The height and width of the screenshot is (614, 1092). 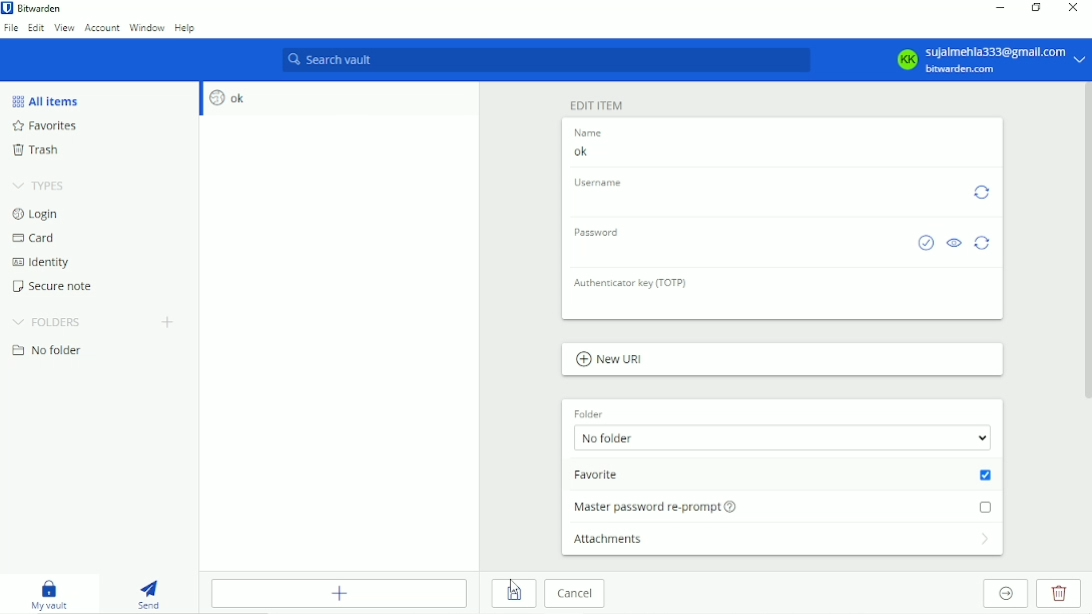 What do you see at coordinates (783, 437) in the screenshot?
I see `No folder` at bounding box center [783, 437].